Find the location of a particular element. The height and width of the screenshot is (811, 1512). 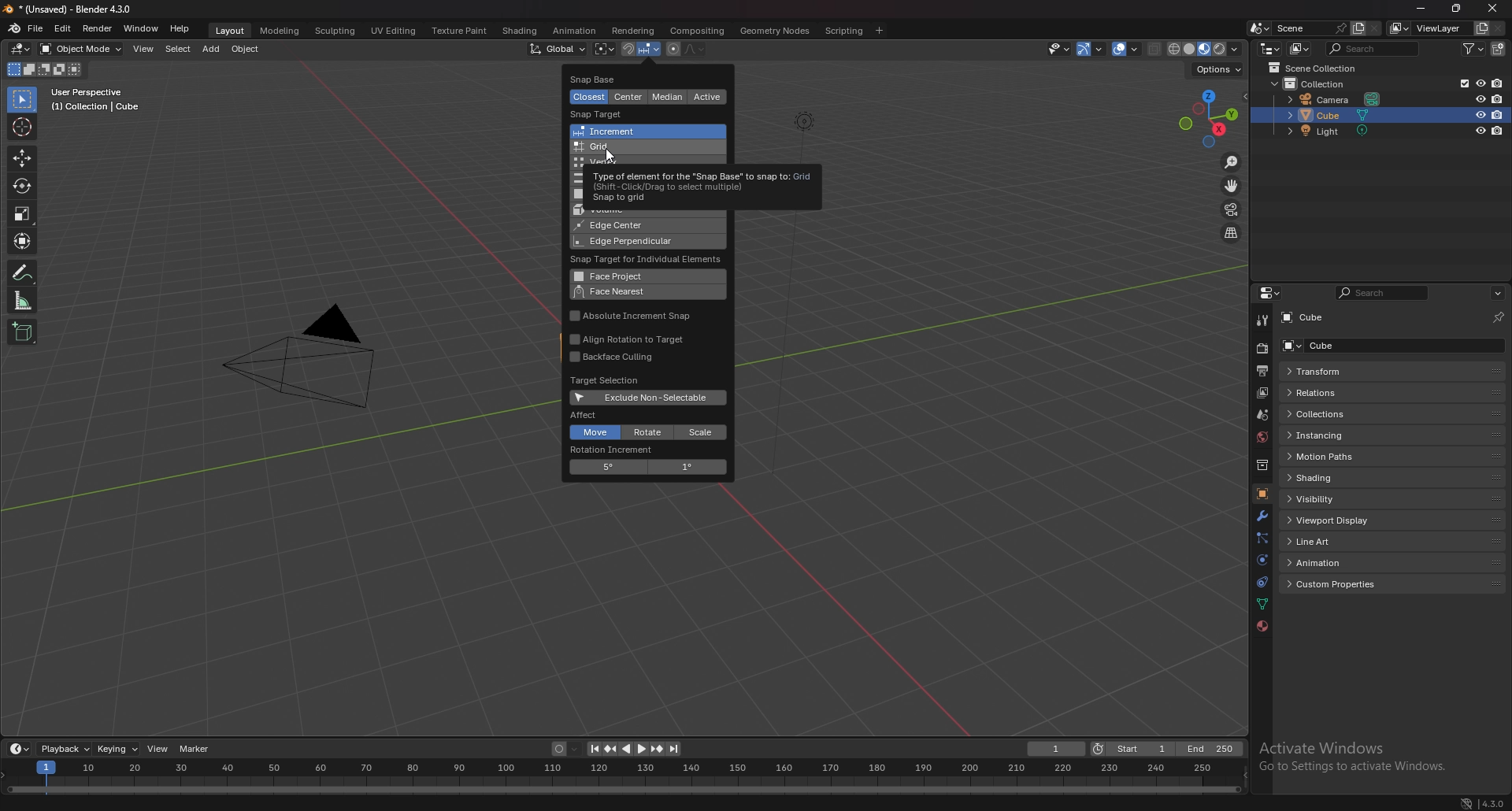

scene is located at coordinates (1310, 28).